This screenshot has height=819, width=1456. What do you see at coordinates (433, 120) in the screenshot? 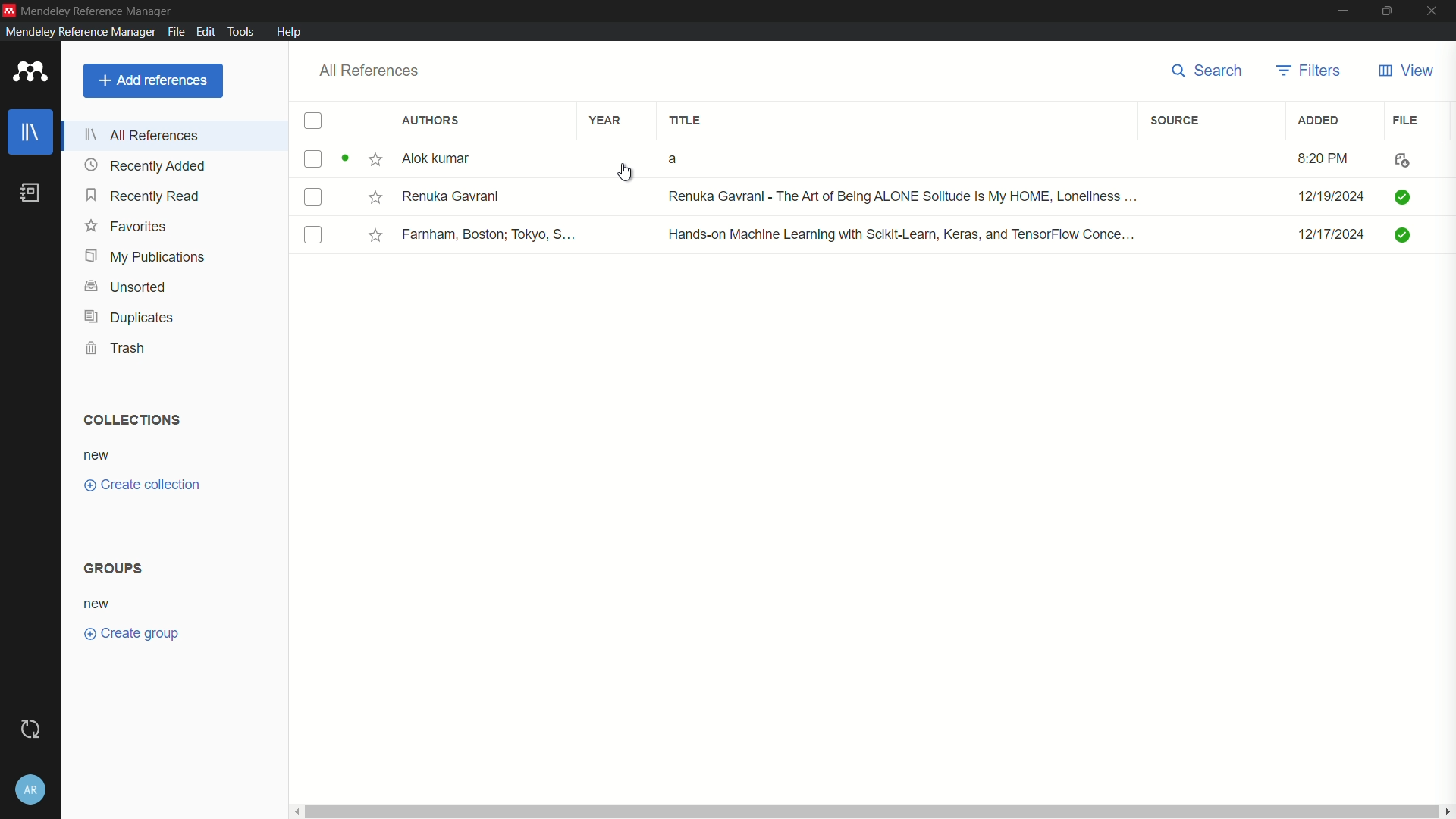
I see `authors` at bounding box center [433, 120].